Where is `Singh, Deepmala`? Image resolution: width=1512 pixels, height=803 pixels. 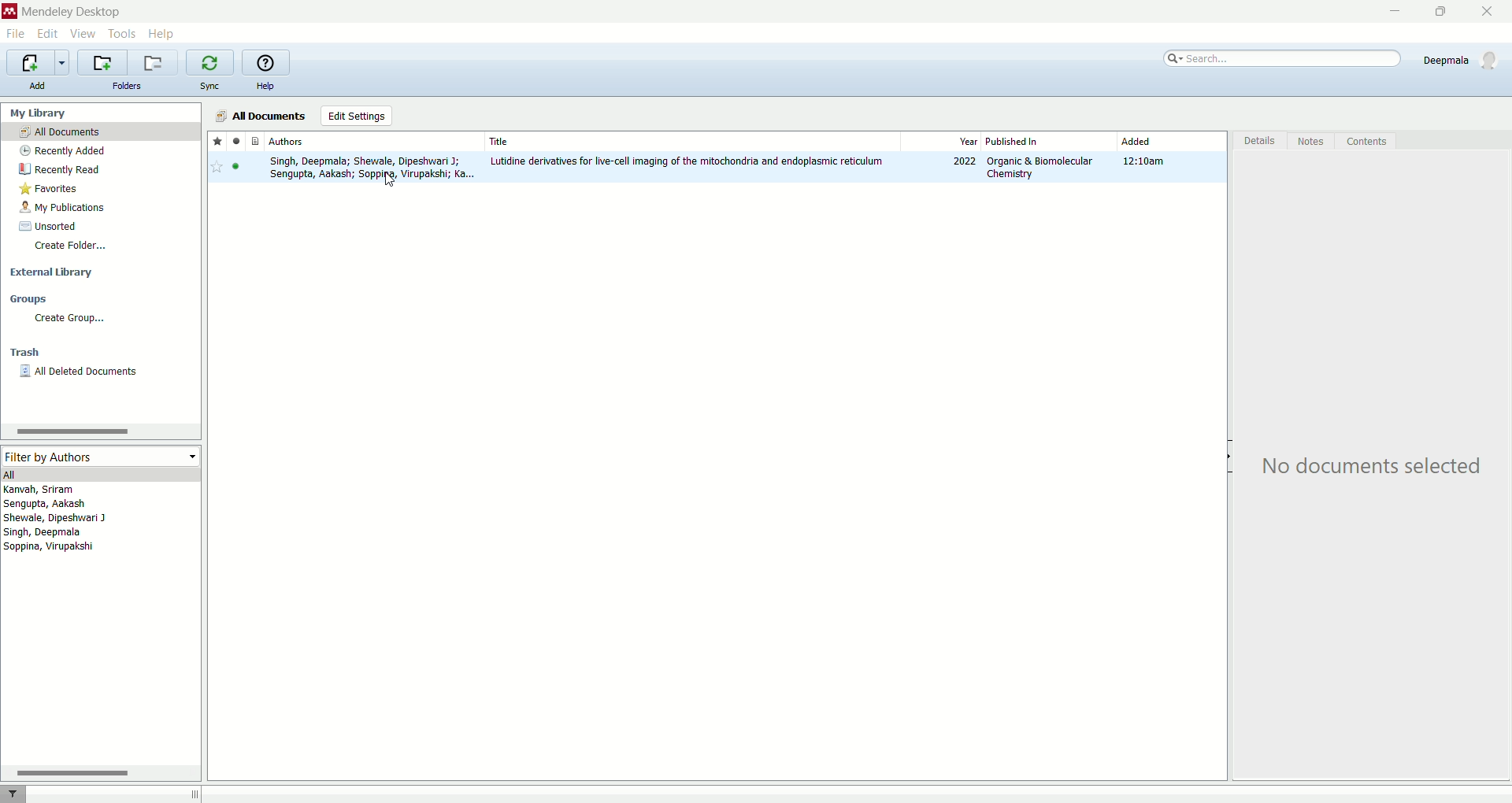 Singh, Deepmala is located at coordinates (51, 534).